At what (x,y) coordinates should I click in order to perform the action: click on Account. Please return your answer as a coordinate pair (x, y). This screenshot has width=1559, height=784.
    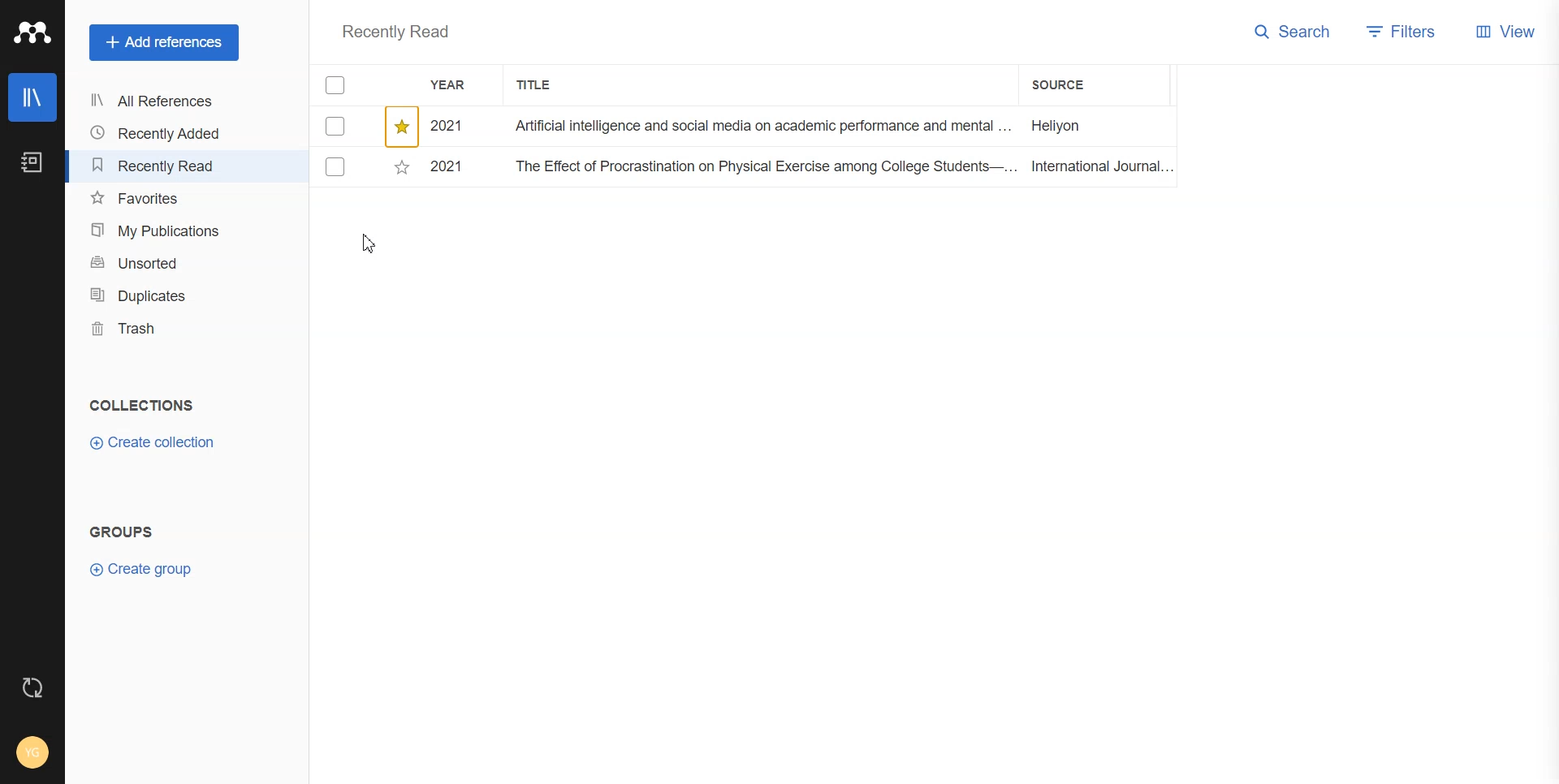
    Looking at the image, I should click on (32, 751).